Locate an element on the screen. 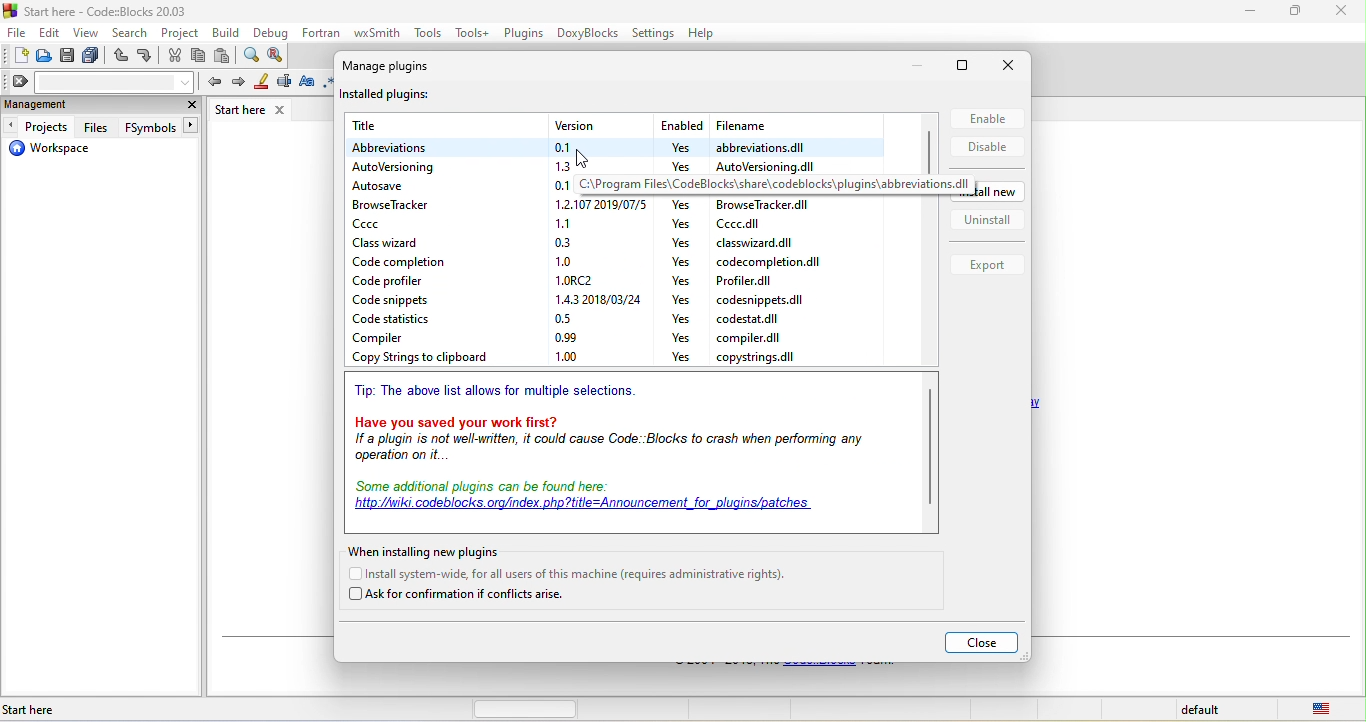 Image resolution: width=1366 pixels, height=722 pixels. start here is located at coordinates (124, 708).